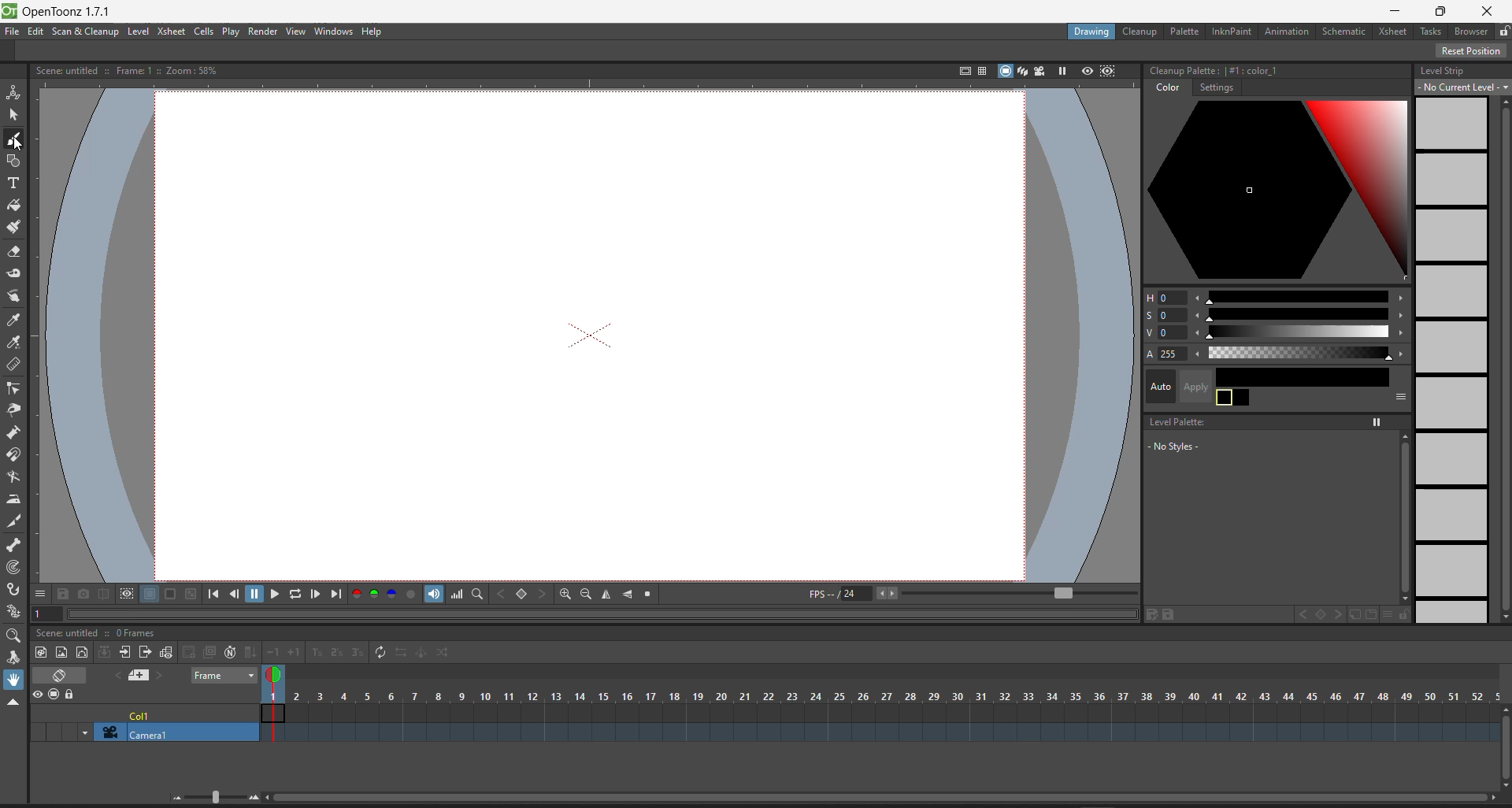 The height and width of the screenshot is (808, 1512). I want to click on open sub x-sheet, so click(124, 653).